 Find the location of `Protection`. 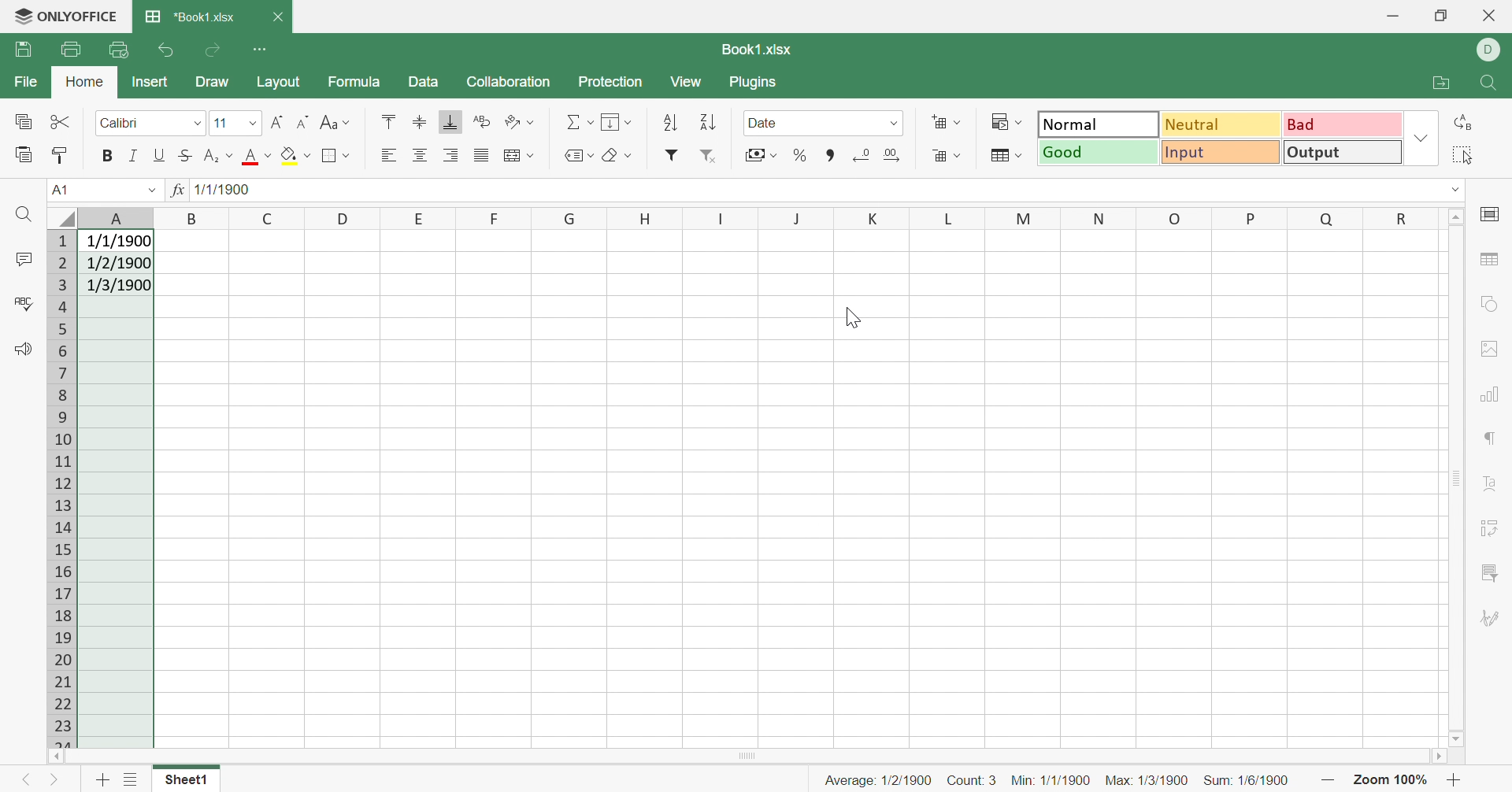

Protection is located at coordinates (610, 83).